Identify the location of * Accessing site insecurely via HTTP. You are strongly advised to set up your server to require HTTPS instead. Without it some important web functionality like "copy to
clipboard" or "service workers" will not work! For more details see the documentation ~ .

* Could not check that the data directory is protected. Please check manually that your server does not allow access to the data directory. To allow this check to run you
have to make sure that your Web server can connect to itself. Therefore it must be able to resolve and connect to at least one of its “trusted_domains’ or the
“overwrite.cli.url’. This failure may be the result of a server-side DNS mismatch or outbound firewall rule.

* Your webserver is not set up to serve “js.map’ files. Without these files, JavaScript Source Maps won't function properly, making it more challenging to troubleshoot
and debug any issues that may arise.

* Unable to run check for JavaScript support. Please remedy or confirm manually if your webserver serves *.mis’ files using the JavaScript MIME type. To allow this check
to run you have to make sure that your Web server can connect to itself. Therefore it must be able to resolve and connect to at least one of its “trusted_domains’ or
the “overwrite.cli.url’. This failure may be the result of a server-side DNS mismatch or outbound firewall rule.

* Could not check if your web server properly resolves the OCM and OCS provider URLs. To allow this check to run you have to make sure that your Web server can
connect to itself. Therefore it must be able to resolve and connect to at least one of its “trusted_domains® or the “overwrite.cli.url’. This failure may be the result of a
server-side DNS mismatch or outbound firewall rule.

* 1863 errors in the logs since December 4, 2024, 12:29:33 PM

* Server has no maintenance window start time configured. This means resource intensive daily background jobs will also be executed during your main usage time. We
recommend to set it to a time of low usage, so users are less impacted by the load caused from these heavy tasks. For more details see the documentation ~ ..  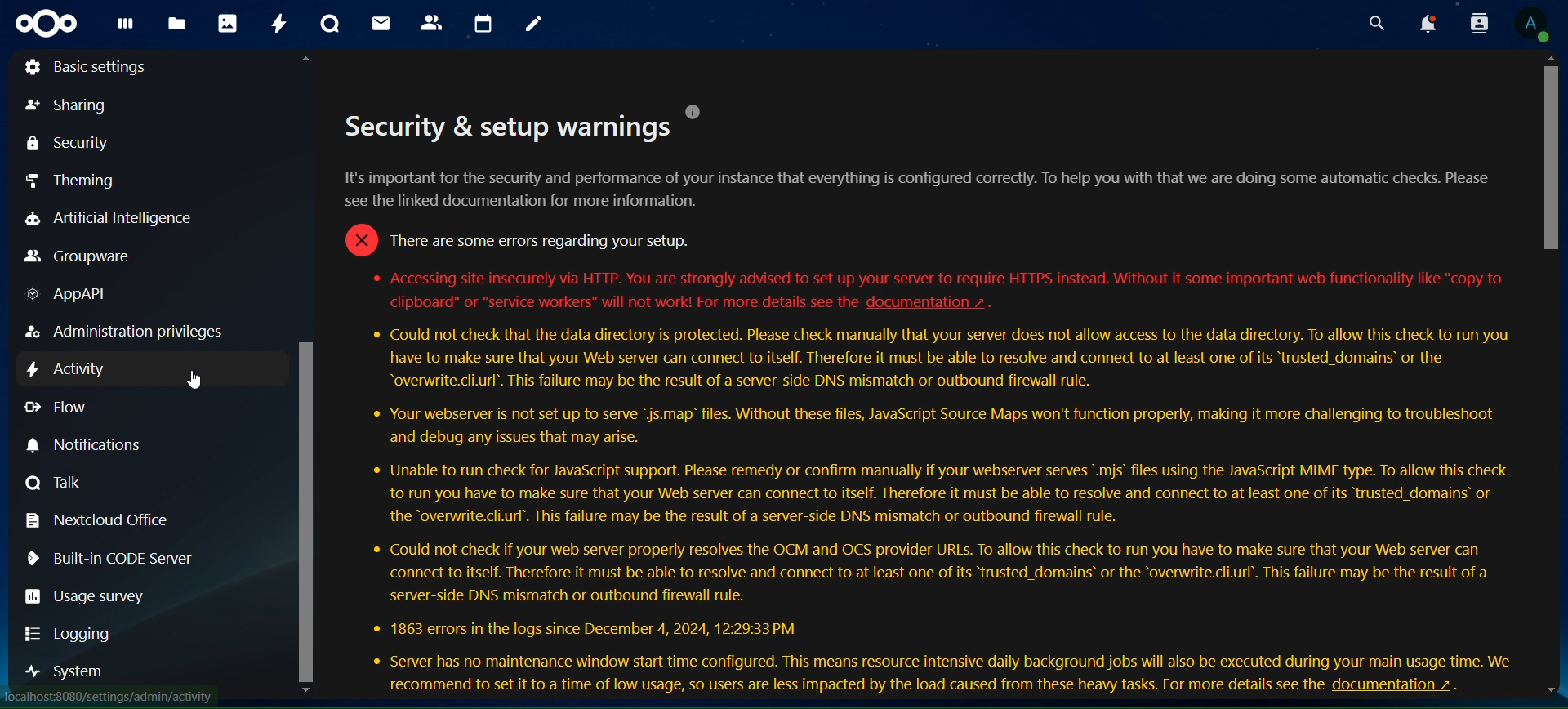
(937, 481).